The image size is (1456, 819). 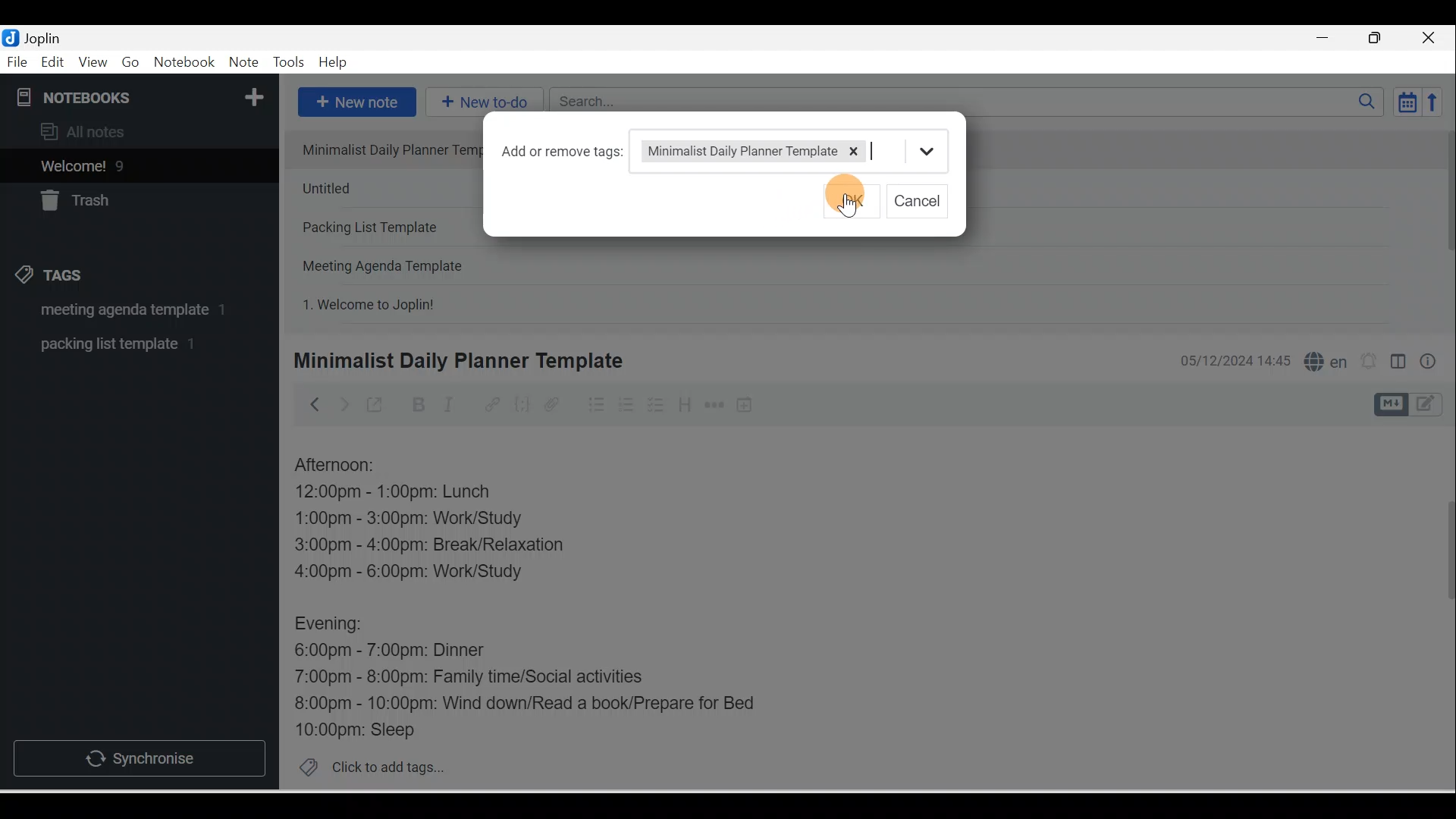 What do you see at coordinates (308, 404) in the screenshot?
I see `Back` at bounding box center [308, 404].